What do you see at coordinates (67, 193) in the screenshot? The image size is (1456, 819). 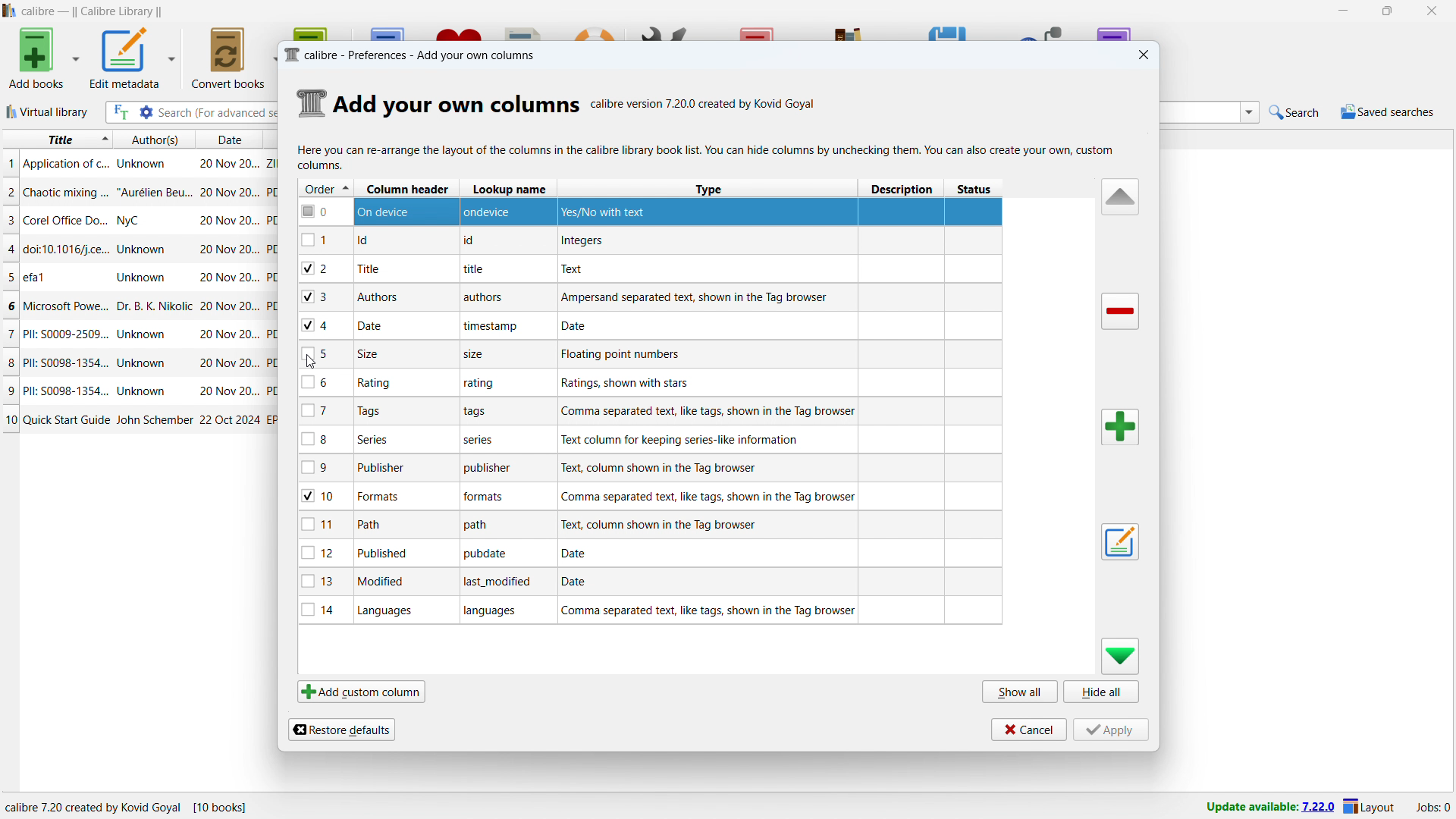 I see `title` at bounding box center [67, 193].